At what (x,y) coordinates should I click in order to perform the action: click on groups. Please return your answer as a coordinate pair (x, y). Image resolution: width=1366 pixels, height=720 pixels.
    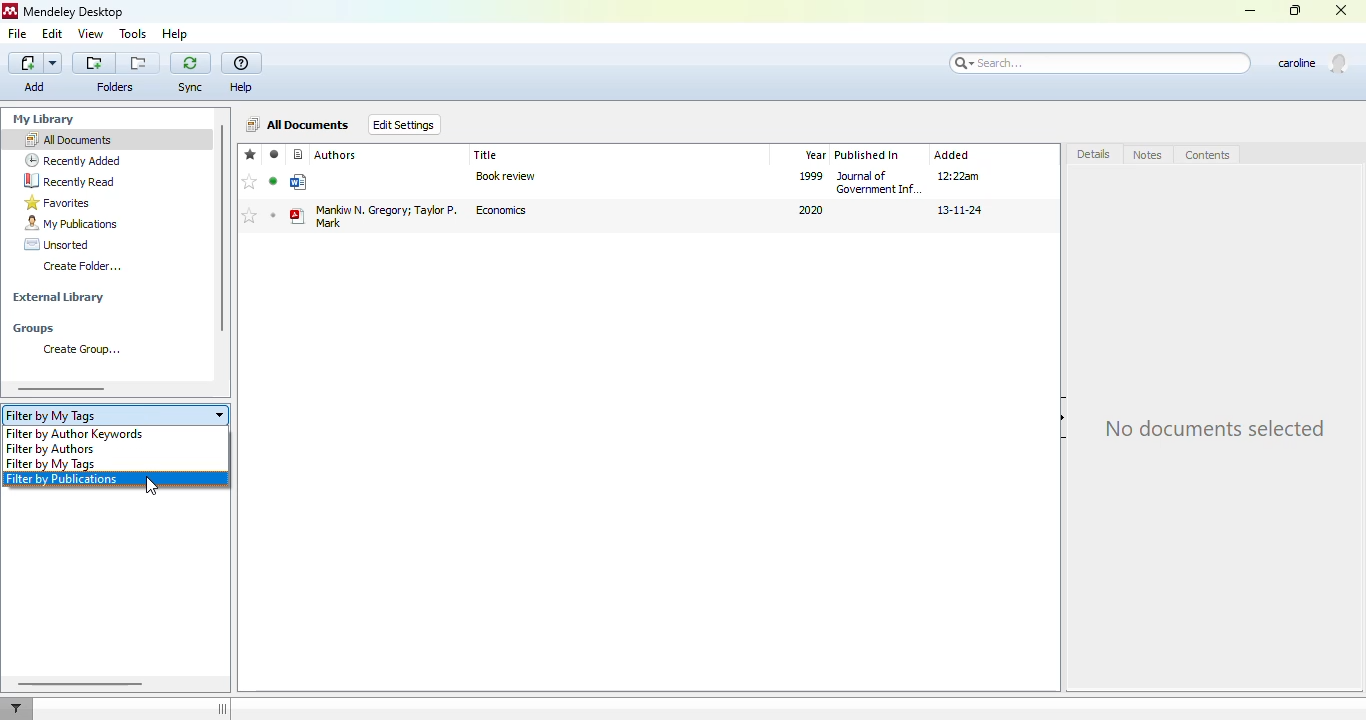
    Looking at the image, I should click on (33, 329).